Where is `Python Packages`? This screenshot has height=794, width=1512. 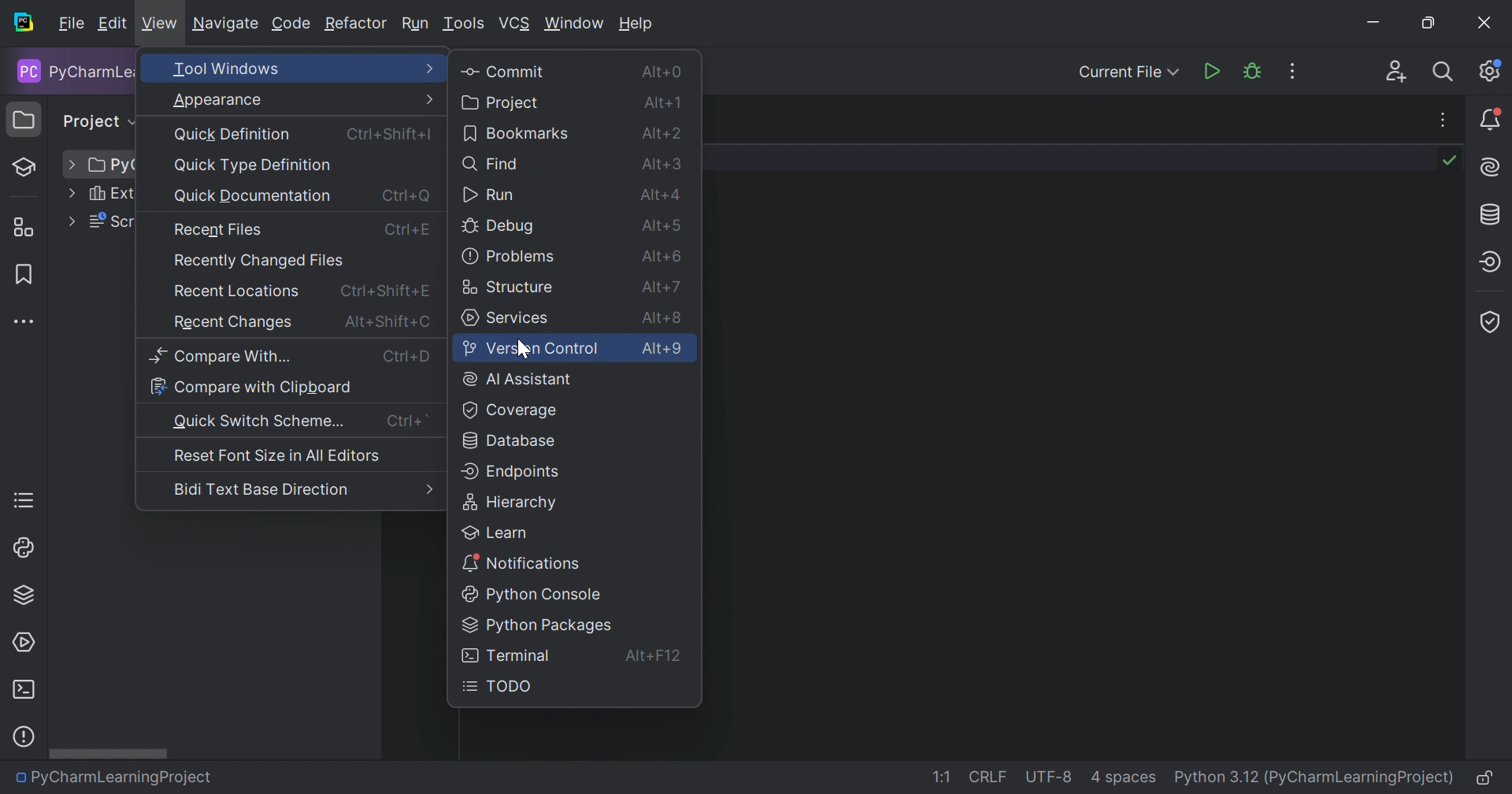 Python Packages is located at coordinates (538, 625).